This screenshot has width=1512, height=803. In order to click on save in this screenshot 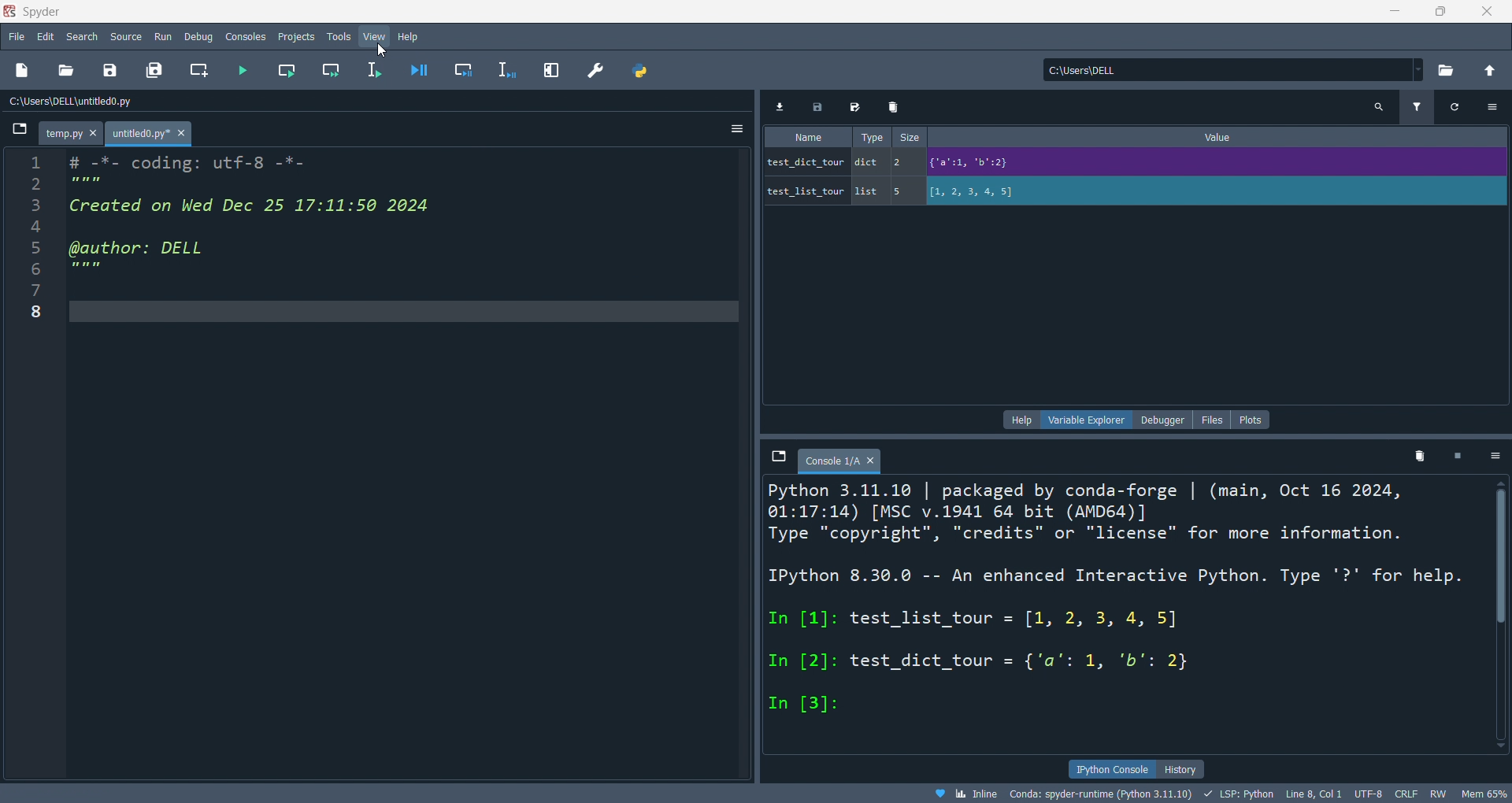, I will do `click(817, 108)`.